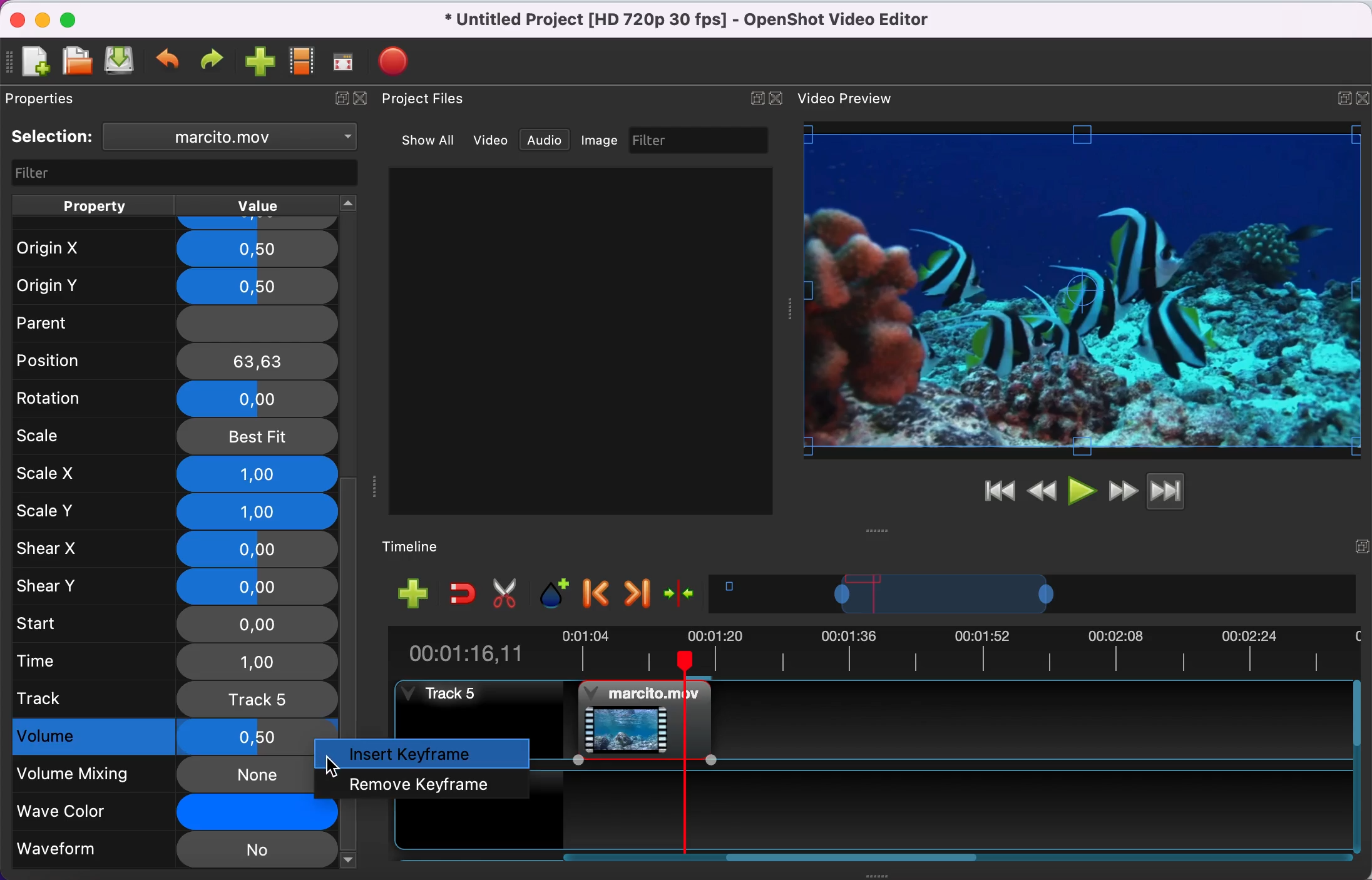 Image resolution: width=1372 pixels, height=880 pixels. I want to click on value, so click(273, 205).